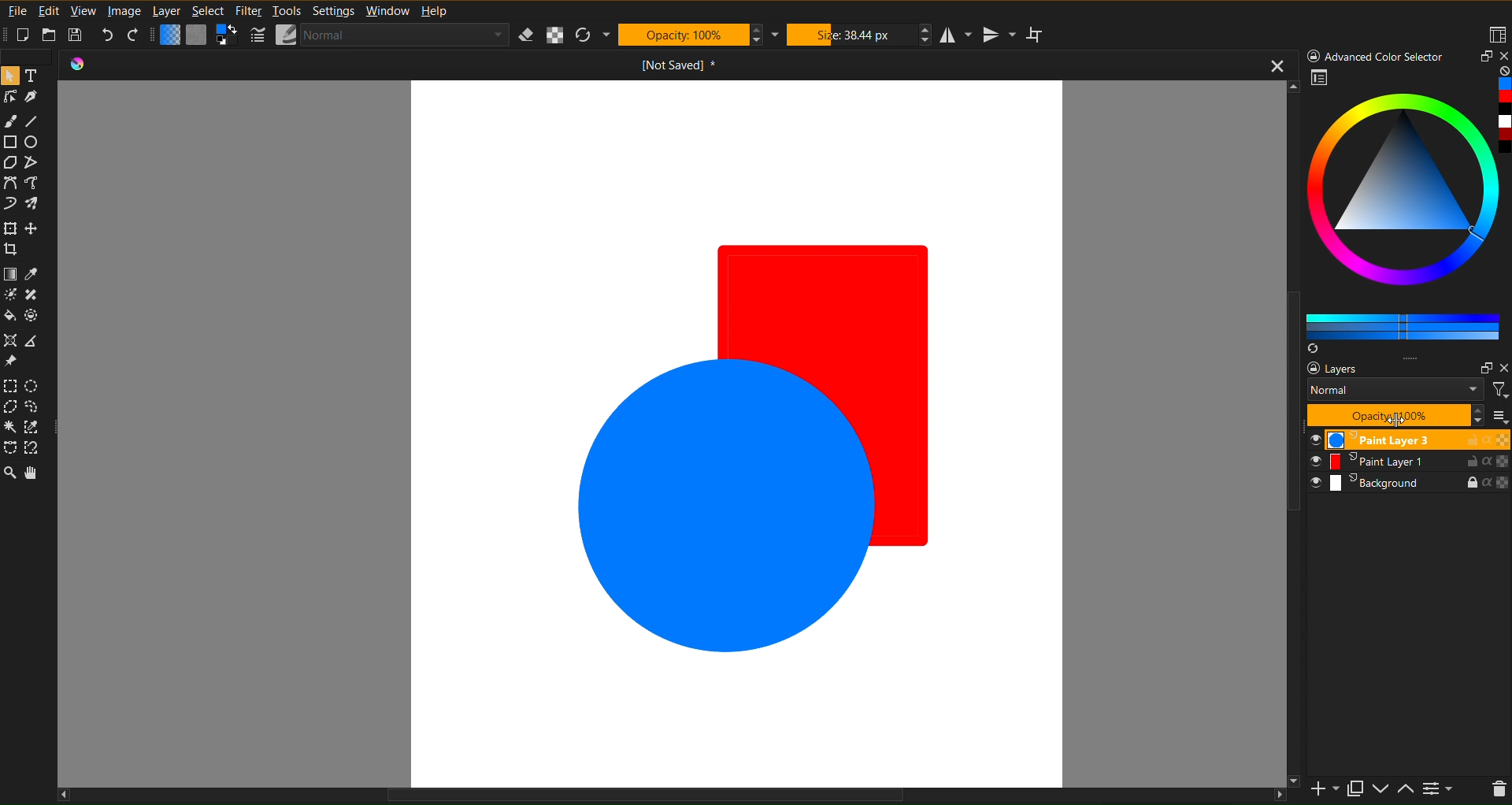 This screenshot has width=1512, height=805. What do you see at coordinates (525, 35) in the screenshot?
I see `Erase` at bounding box center [525, 35].